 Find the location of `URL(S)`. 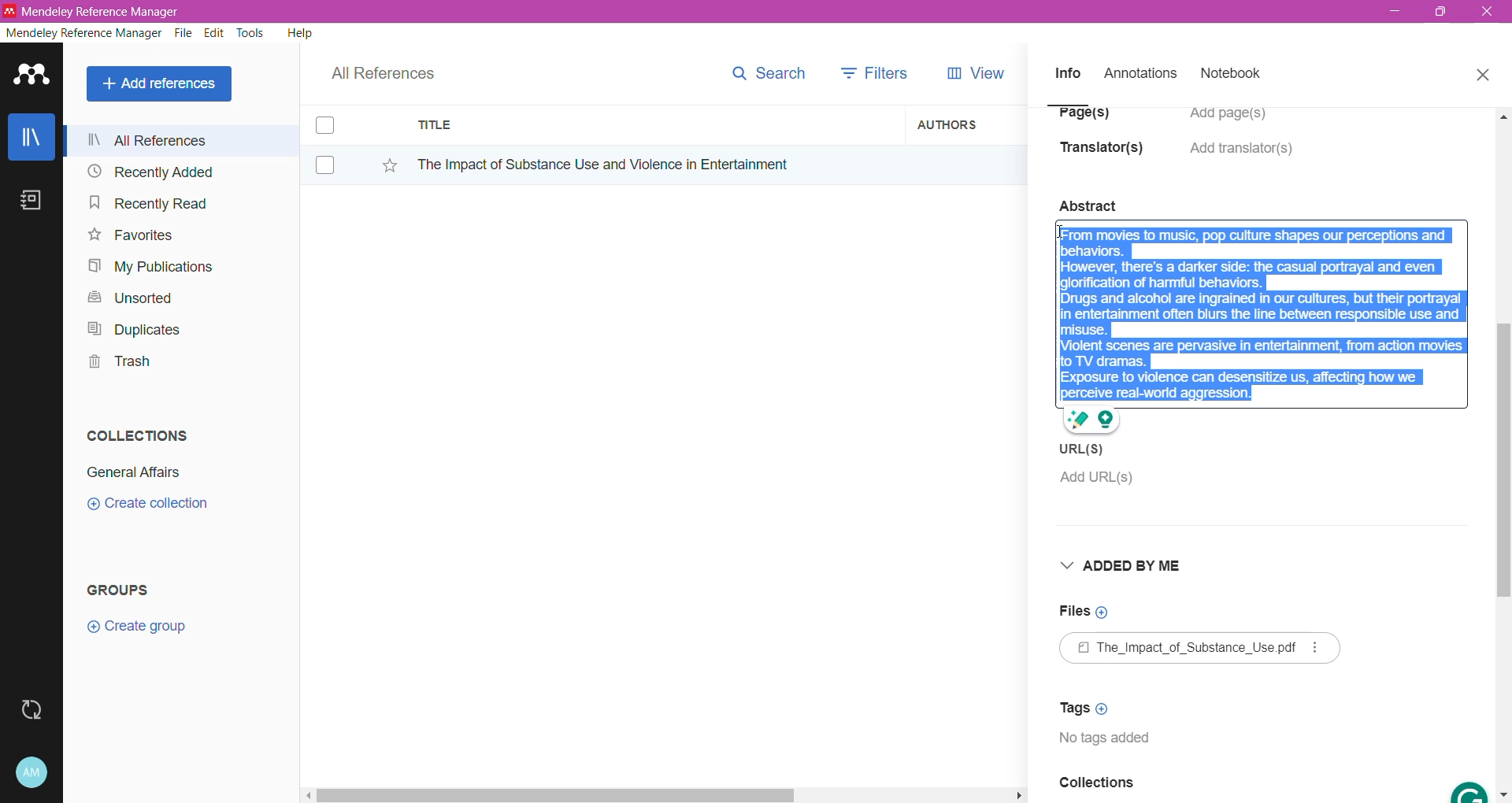

URL(S) is located at coordinates (1085, 448).